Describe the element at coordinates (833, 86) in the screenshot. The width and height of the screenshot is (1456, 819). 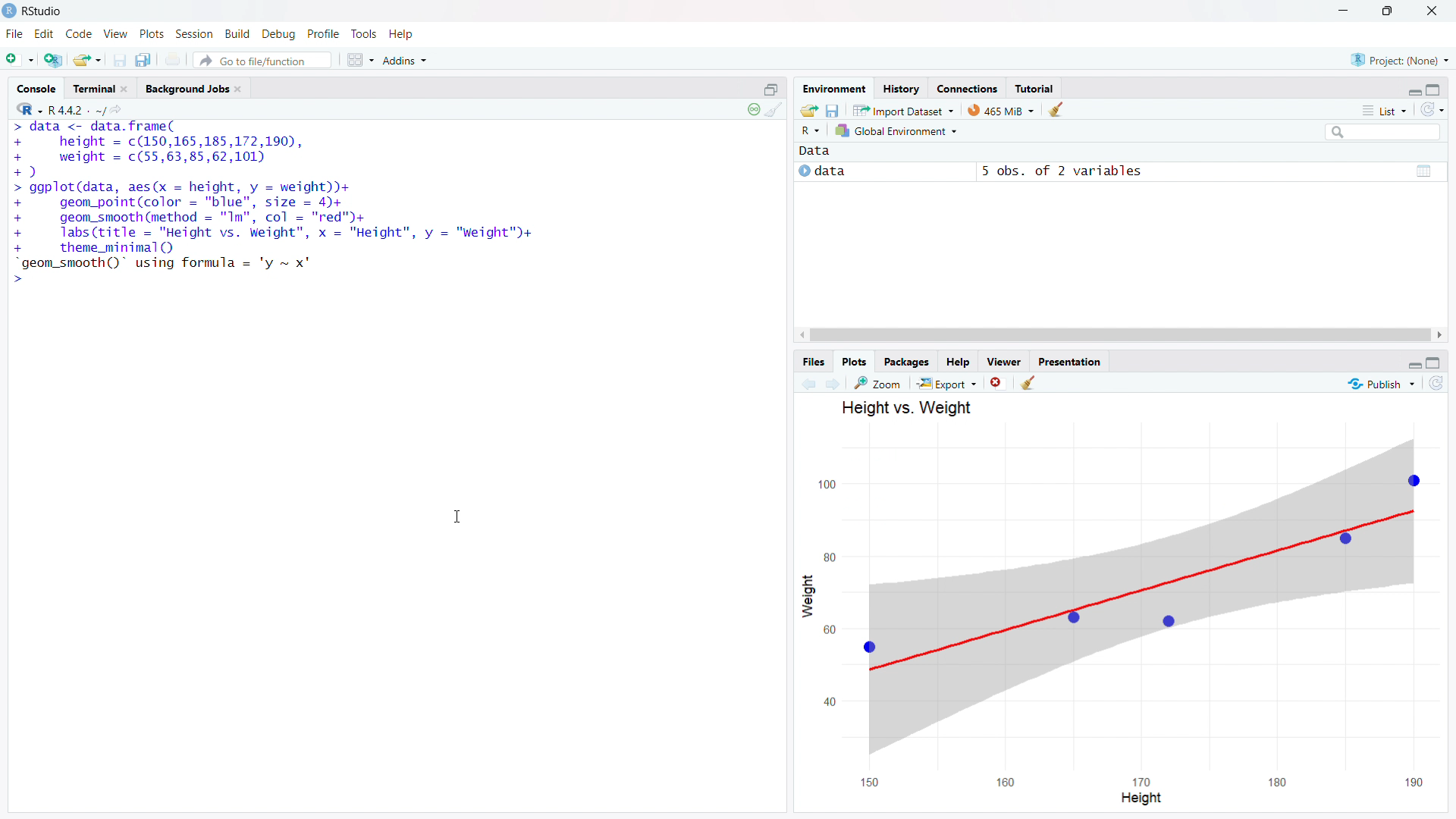
I see `environemnet` at that location.